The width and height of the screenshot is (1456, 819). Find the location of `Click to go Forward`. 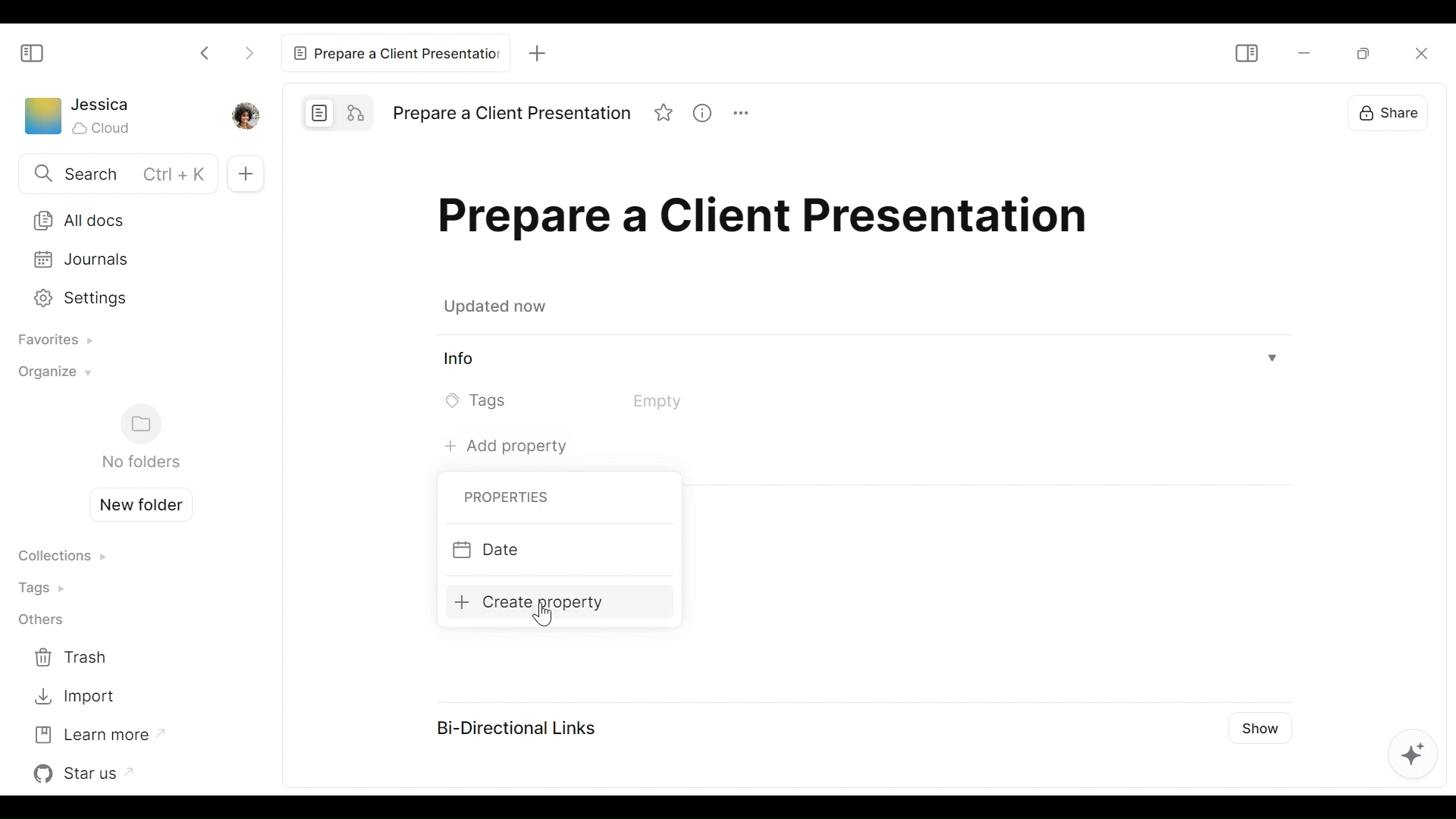

Click to go Forward is located at coordinates (249, 50).